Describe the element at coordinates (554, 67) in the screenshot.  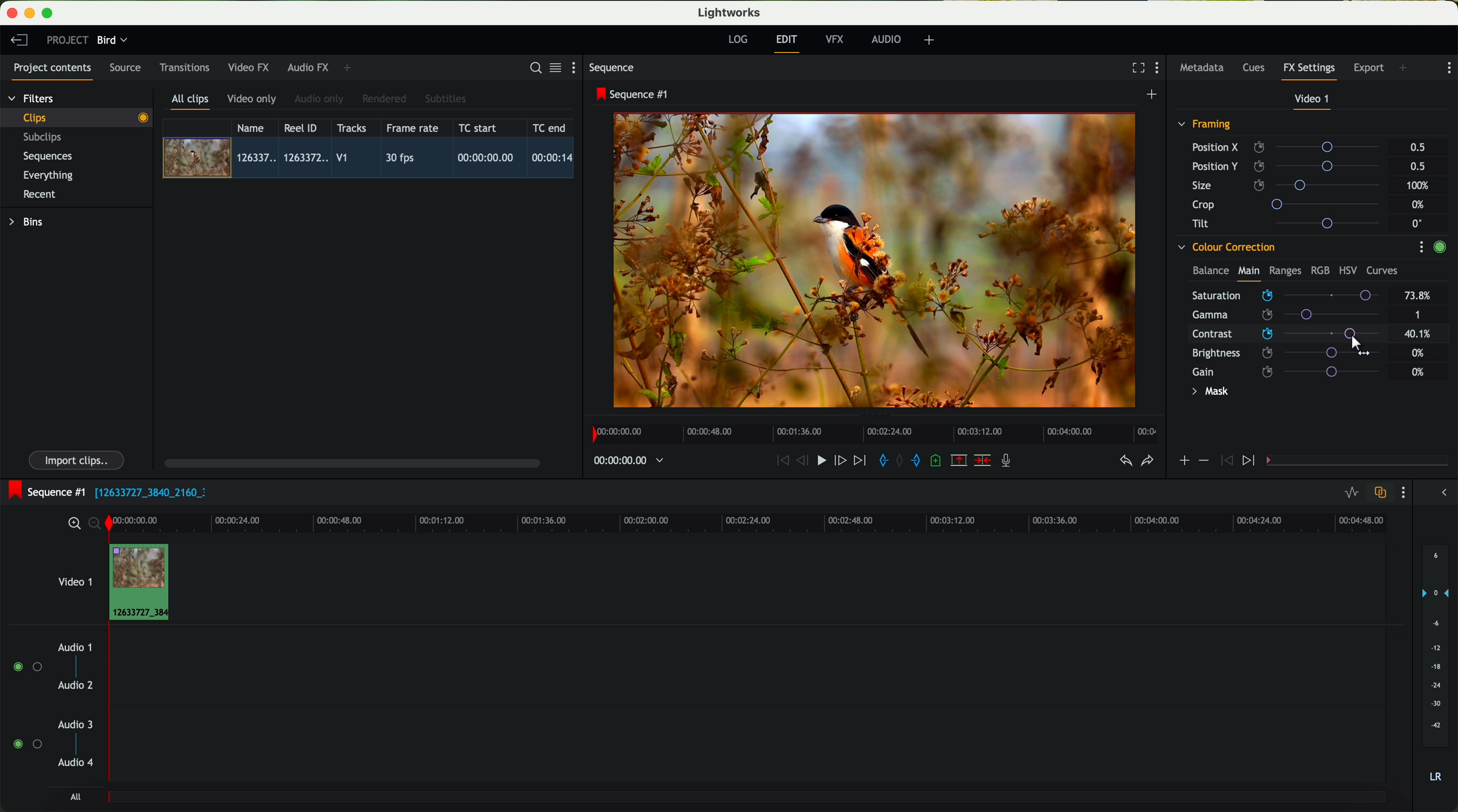
I see `toggle between list and title view` at that location.